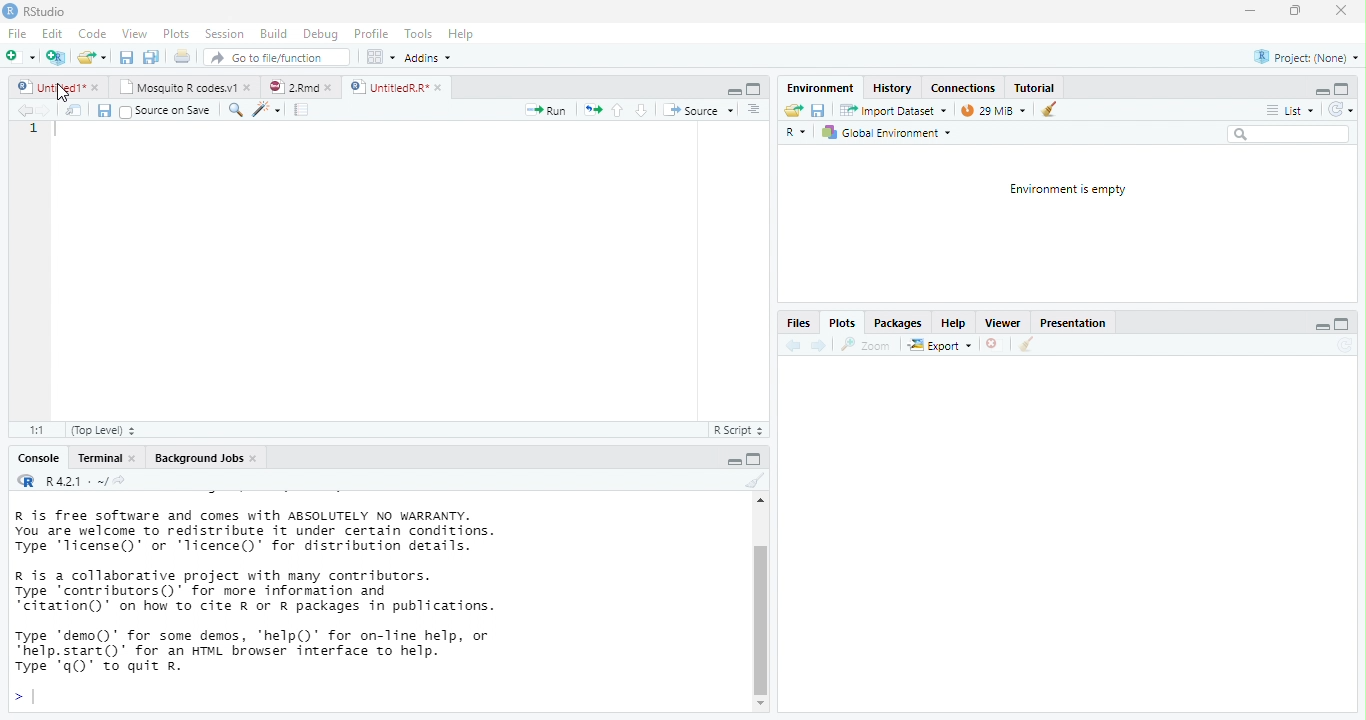  Describe the element at coordinates (1289, 111) in the screenshot. I see `List` at that location.